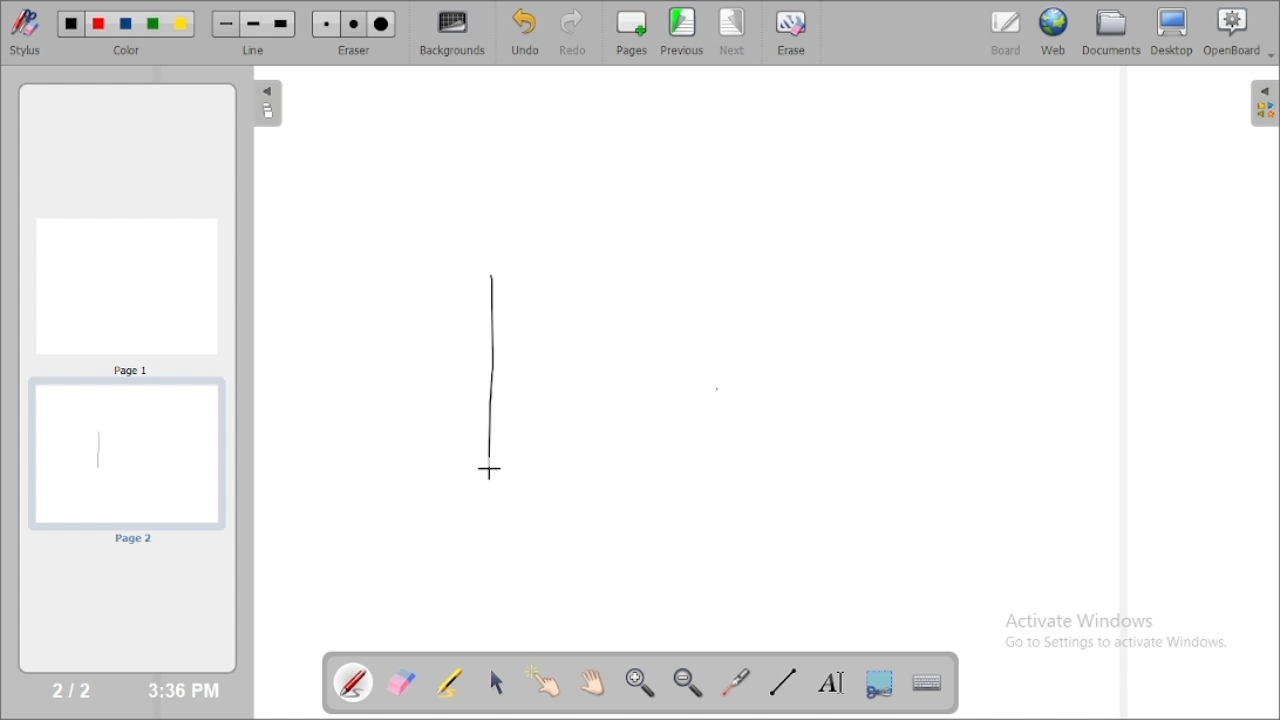  What do you see at coordinates (130, 51) in the screenshot?
I see `color` at bounding box center [130, 51].